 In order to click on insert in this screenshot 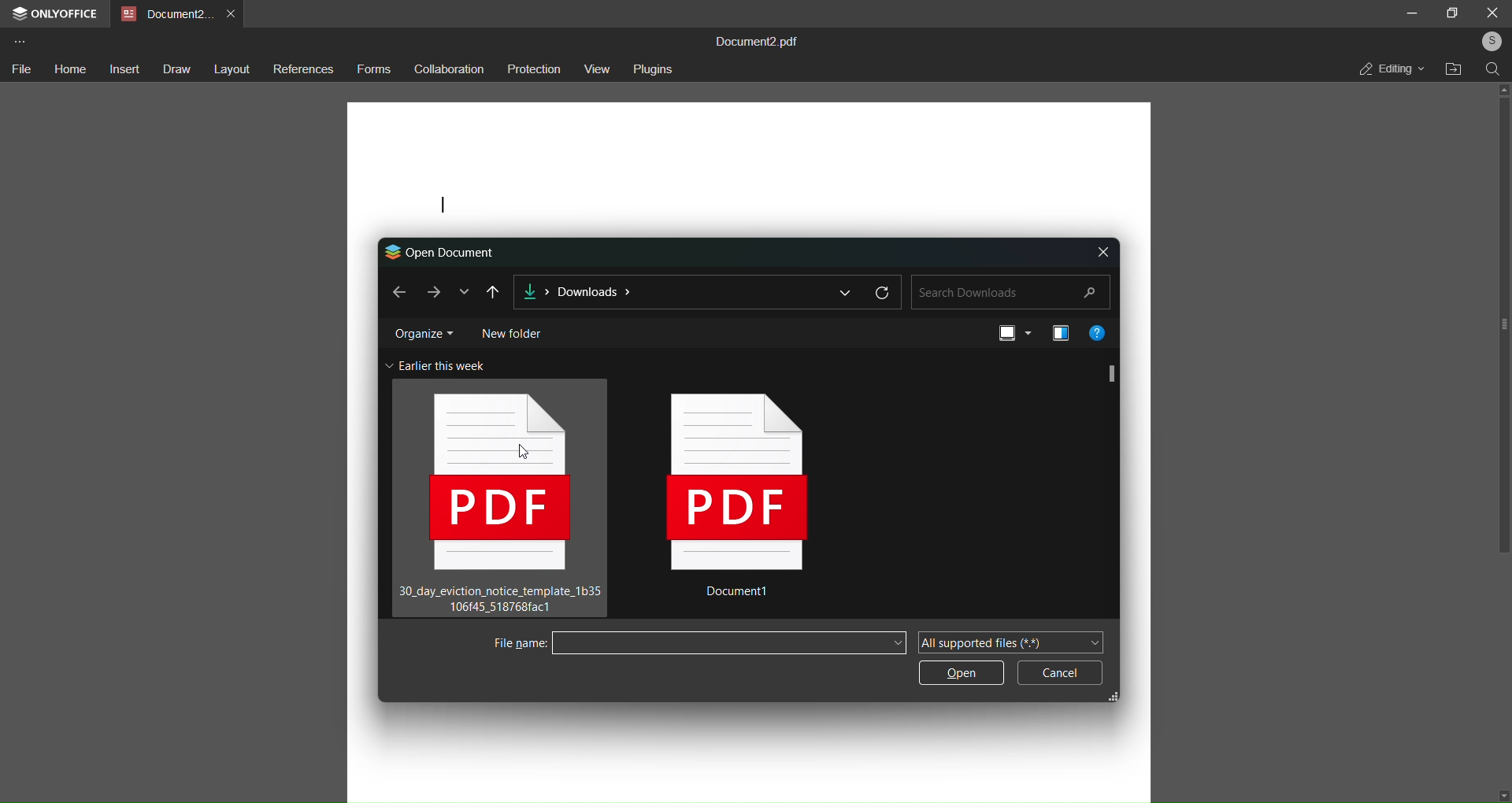, I will do `click(122, 68)`.